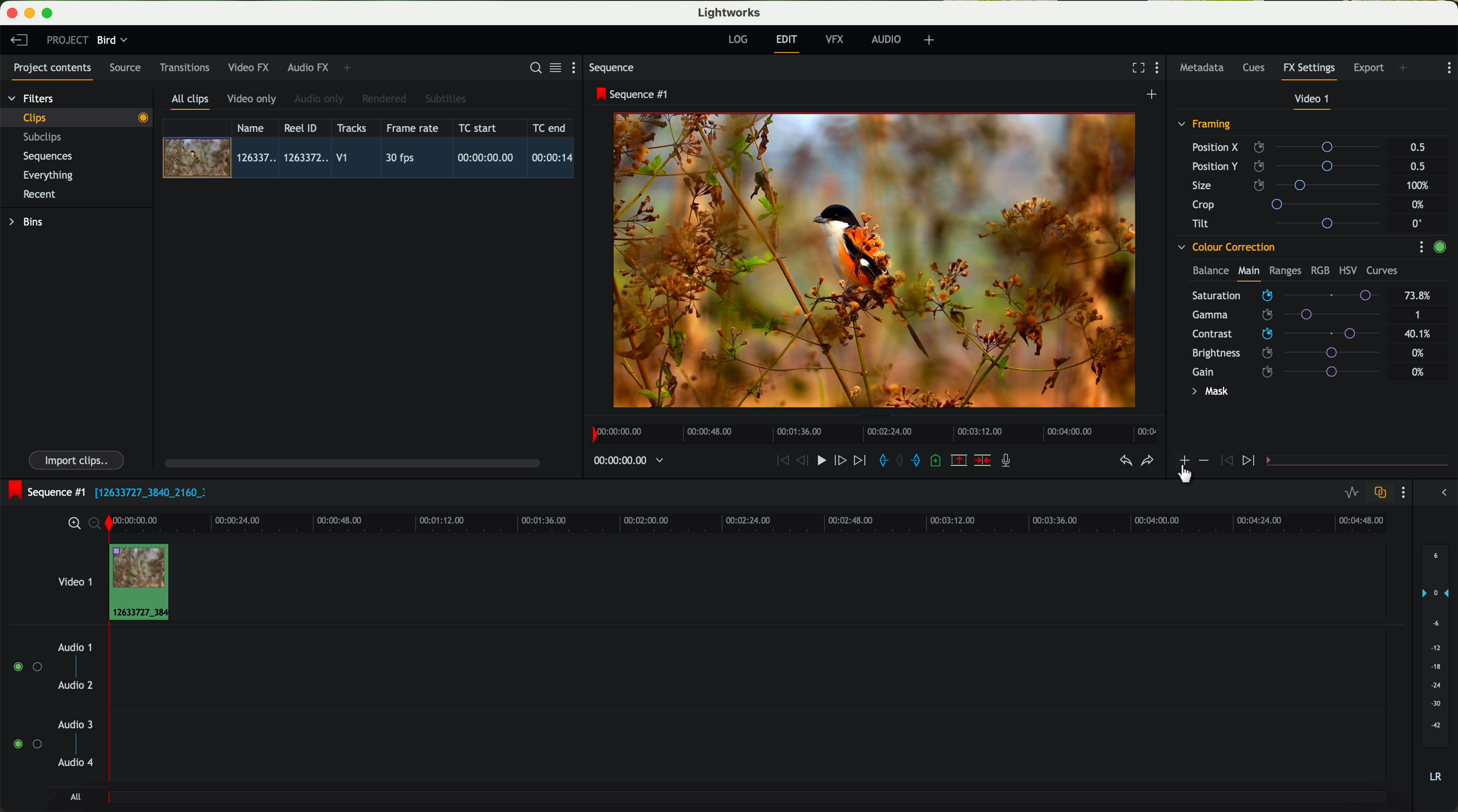  What do you see at coordinates (303, 127) in the screenshot?
I see `Reel ID` at bounding box center [303, 127].